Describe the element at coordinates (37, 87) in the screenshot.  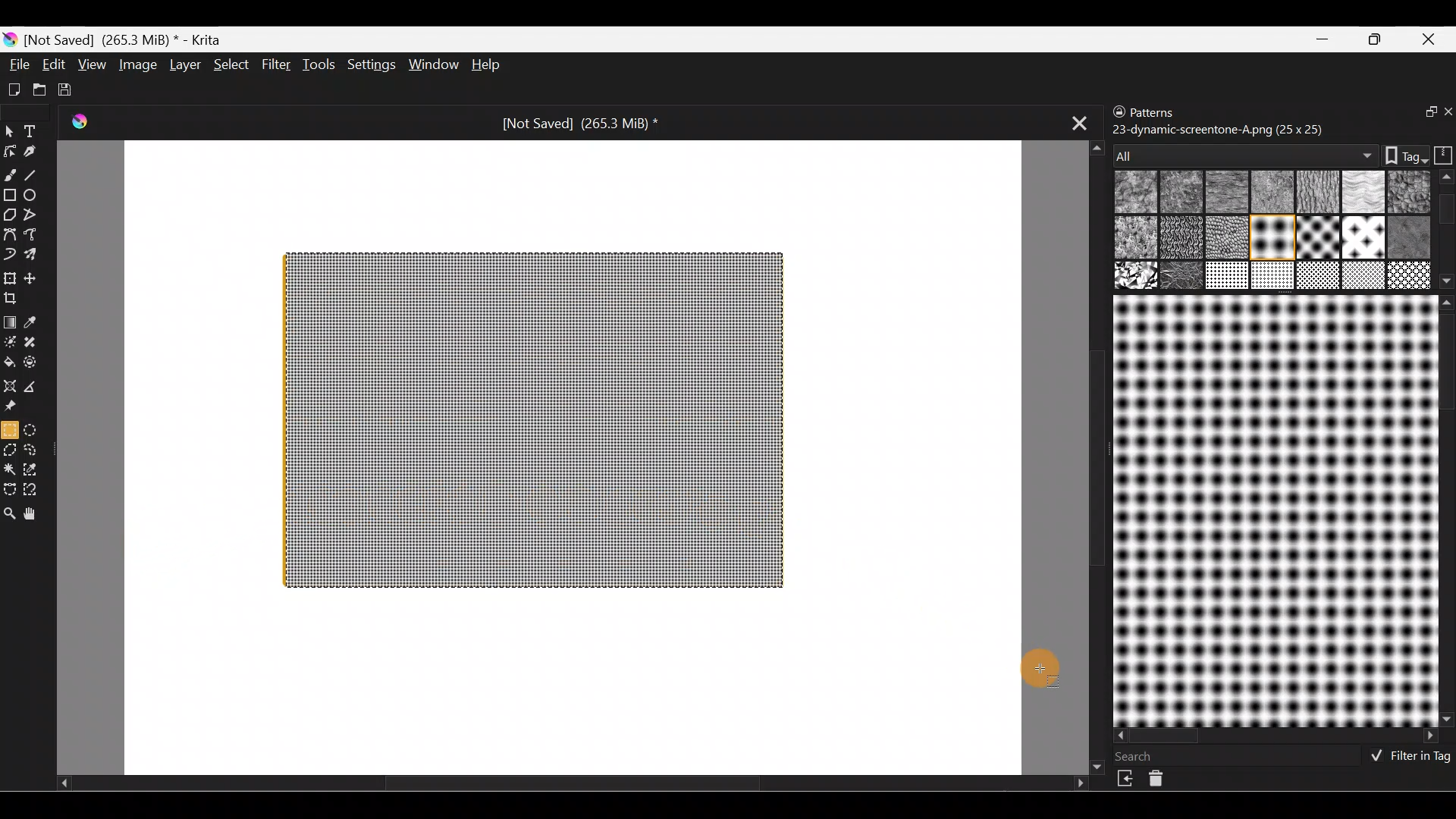
I see `Open existing document` at that location.